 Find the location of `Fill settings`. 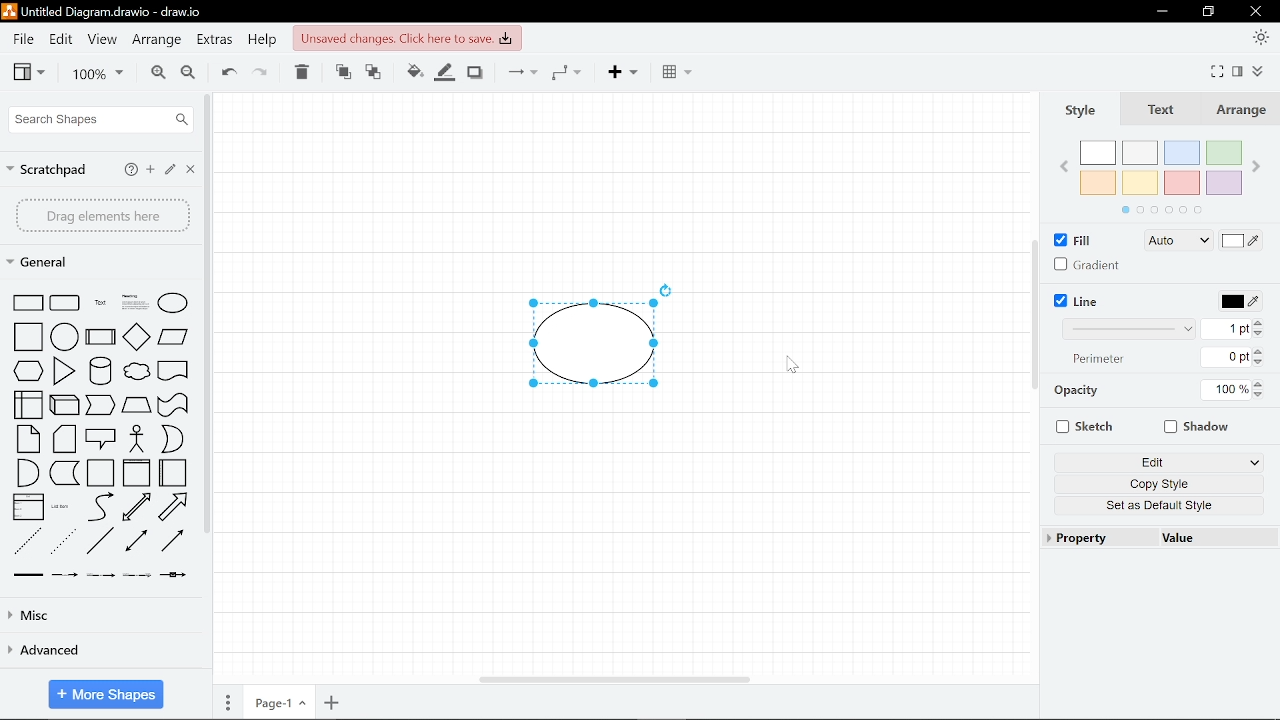

Fill settings is located at coordinates (1178, 242).